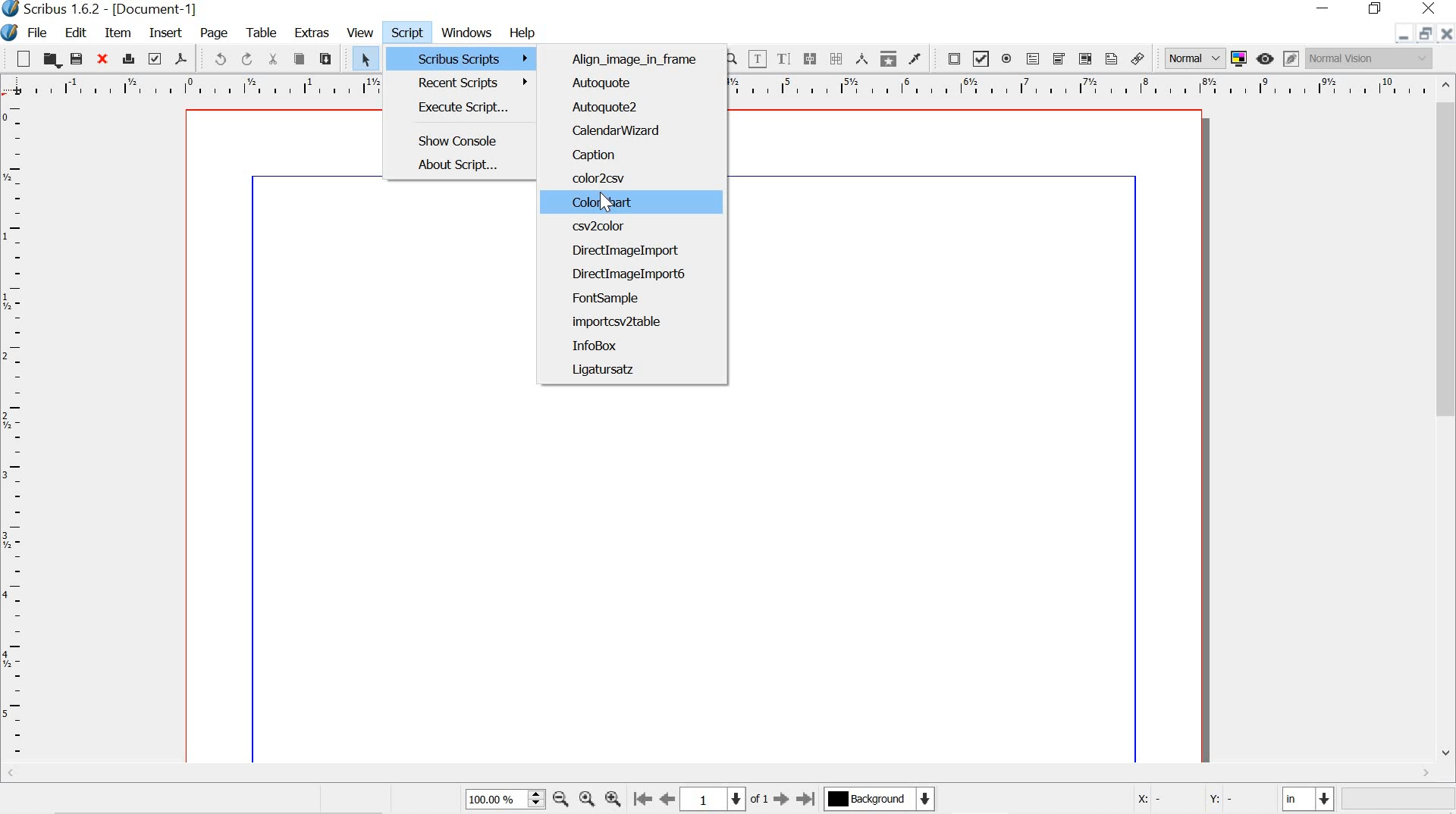  Describe the element at coordinates (1034, 60) in the screenshot. I see `pdf text field` at that location.